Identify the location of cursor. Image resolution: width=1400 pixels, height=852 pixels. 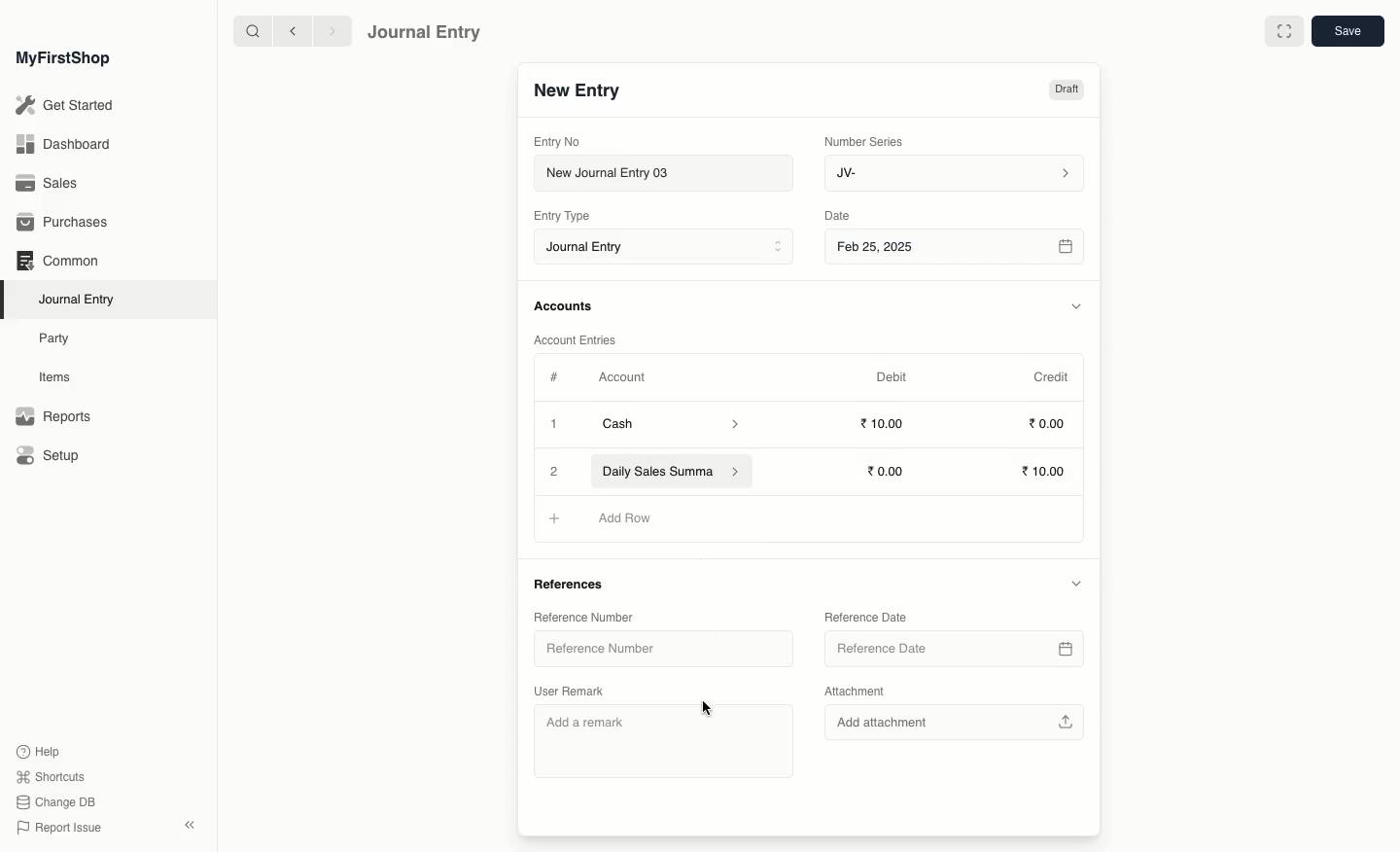
(708, 707).